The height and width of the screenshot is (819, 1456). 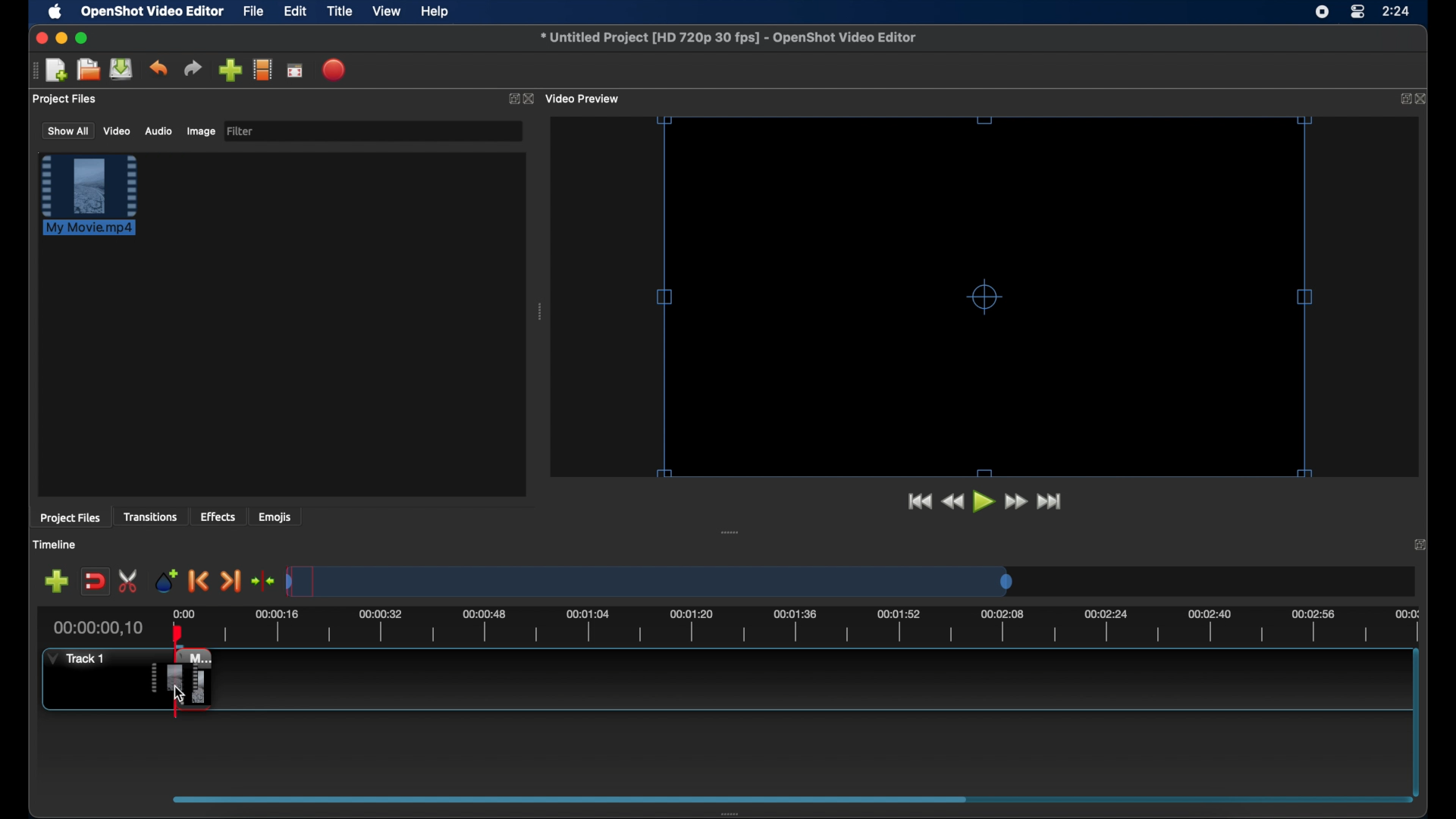 I want to click on close, so click(x=529, y=99).